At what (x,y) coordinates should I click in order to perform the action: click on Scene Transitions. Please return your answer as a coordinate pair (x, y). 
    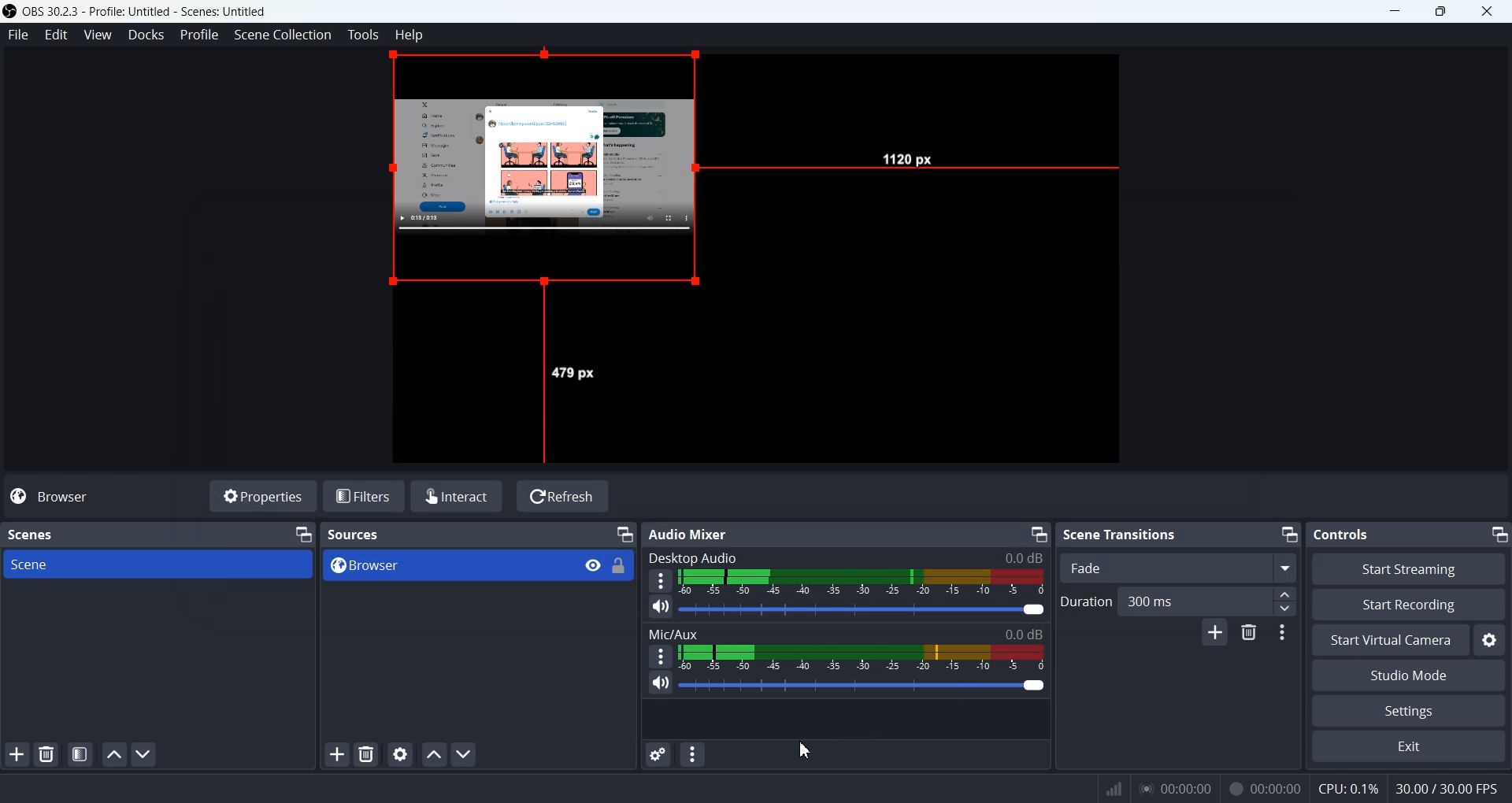
    Looking at the image, I should click on (1121, 534).